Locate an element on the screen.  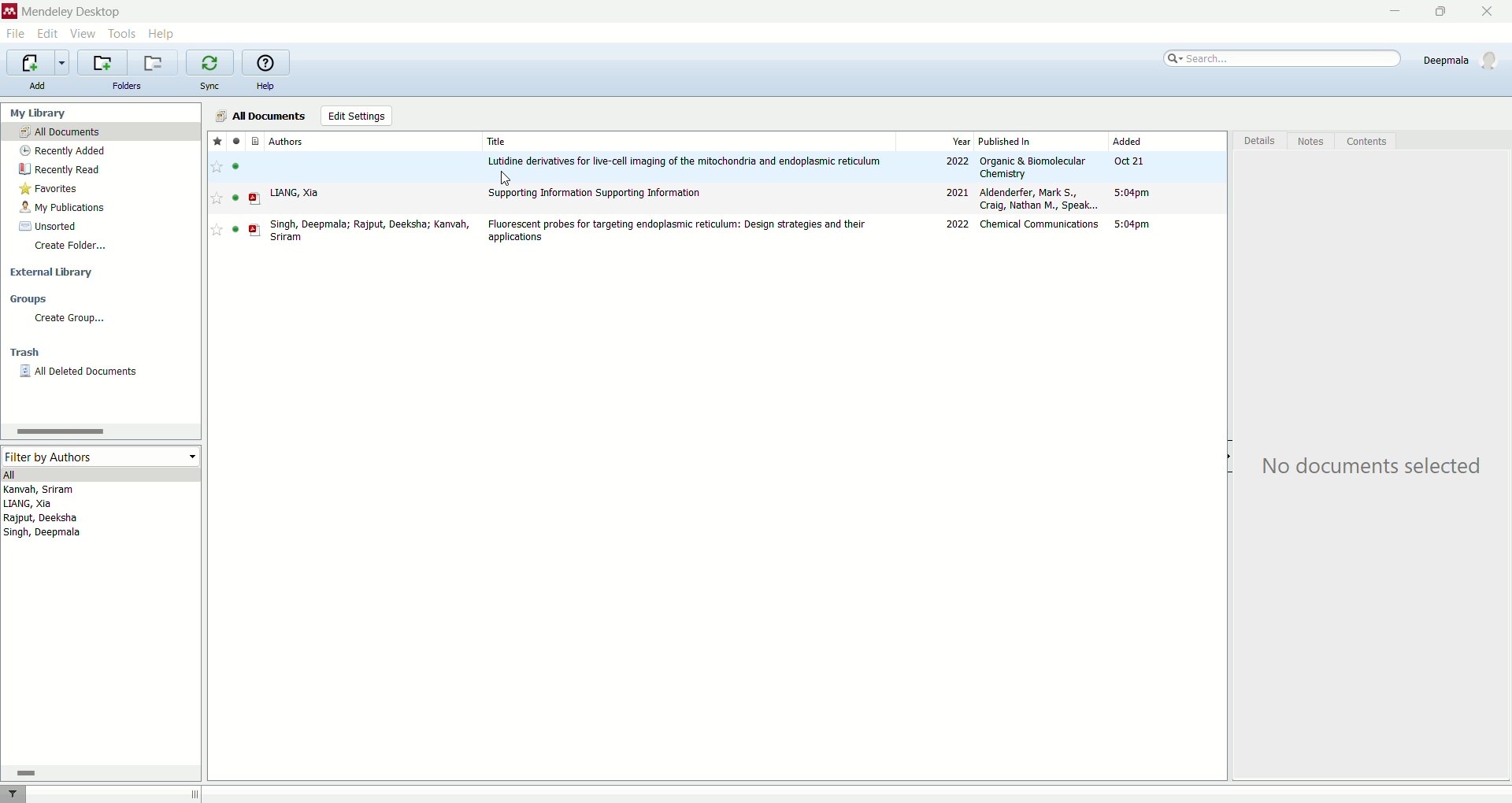
help is located at coordinates (163, 34).